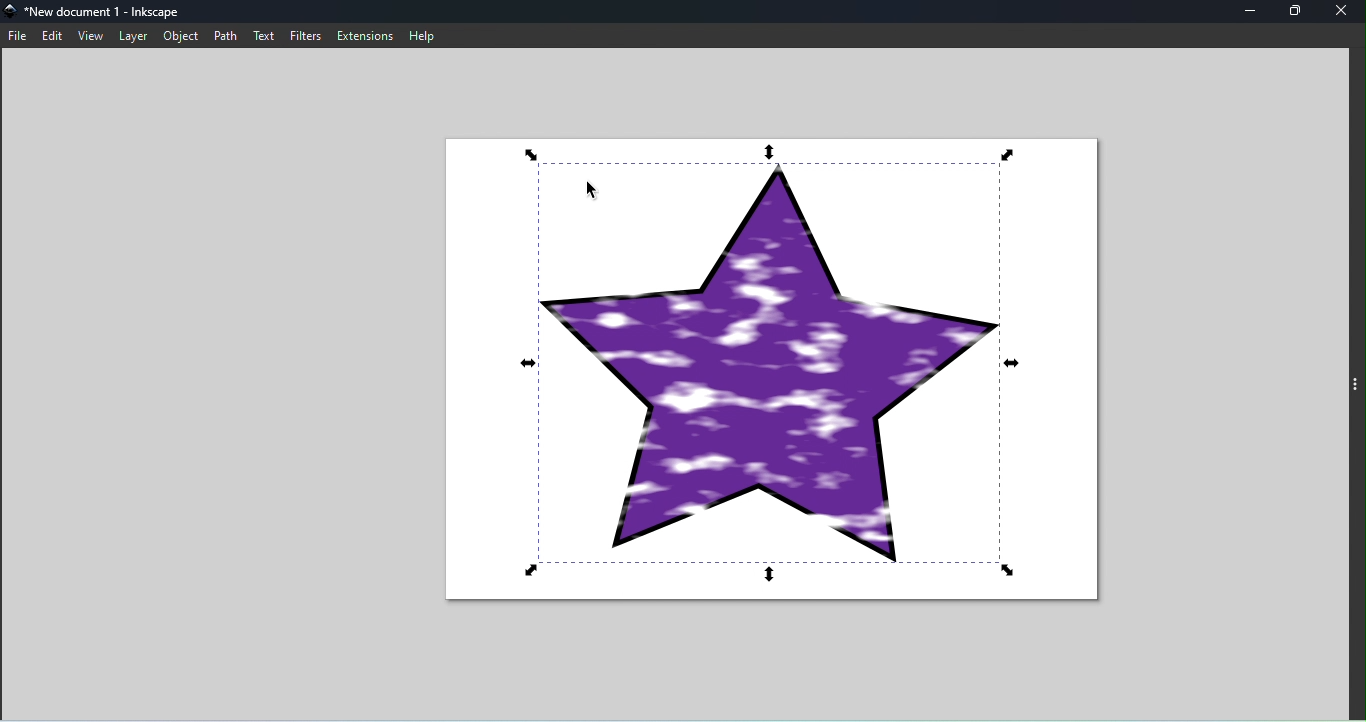  I want to click on edit, so click(55, 36).